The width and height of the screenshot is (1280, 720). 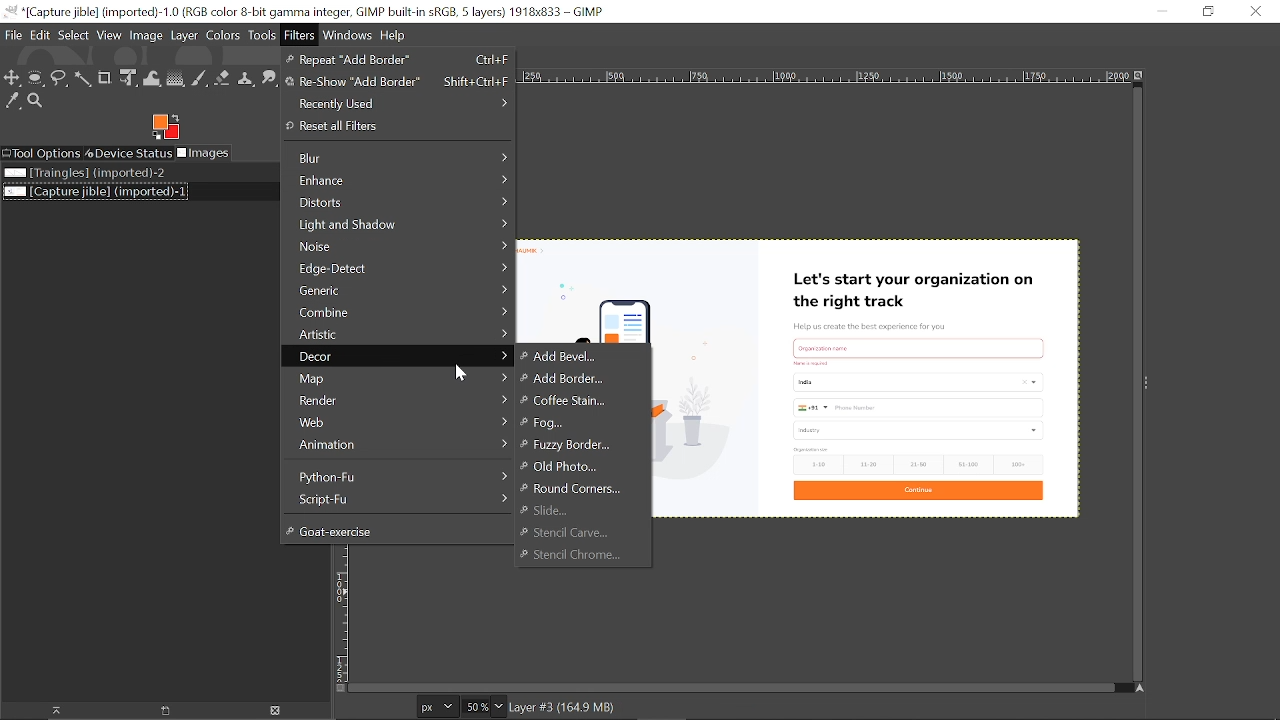 I want to click on Current zoom, so click(x=475, y=708).